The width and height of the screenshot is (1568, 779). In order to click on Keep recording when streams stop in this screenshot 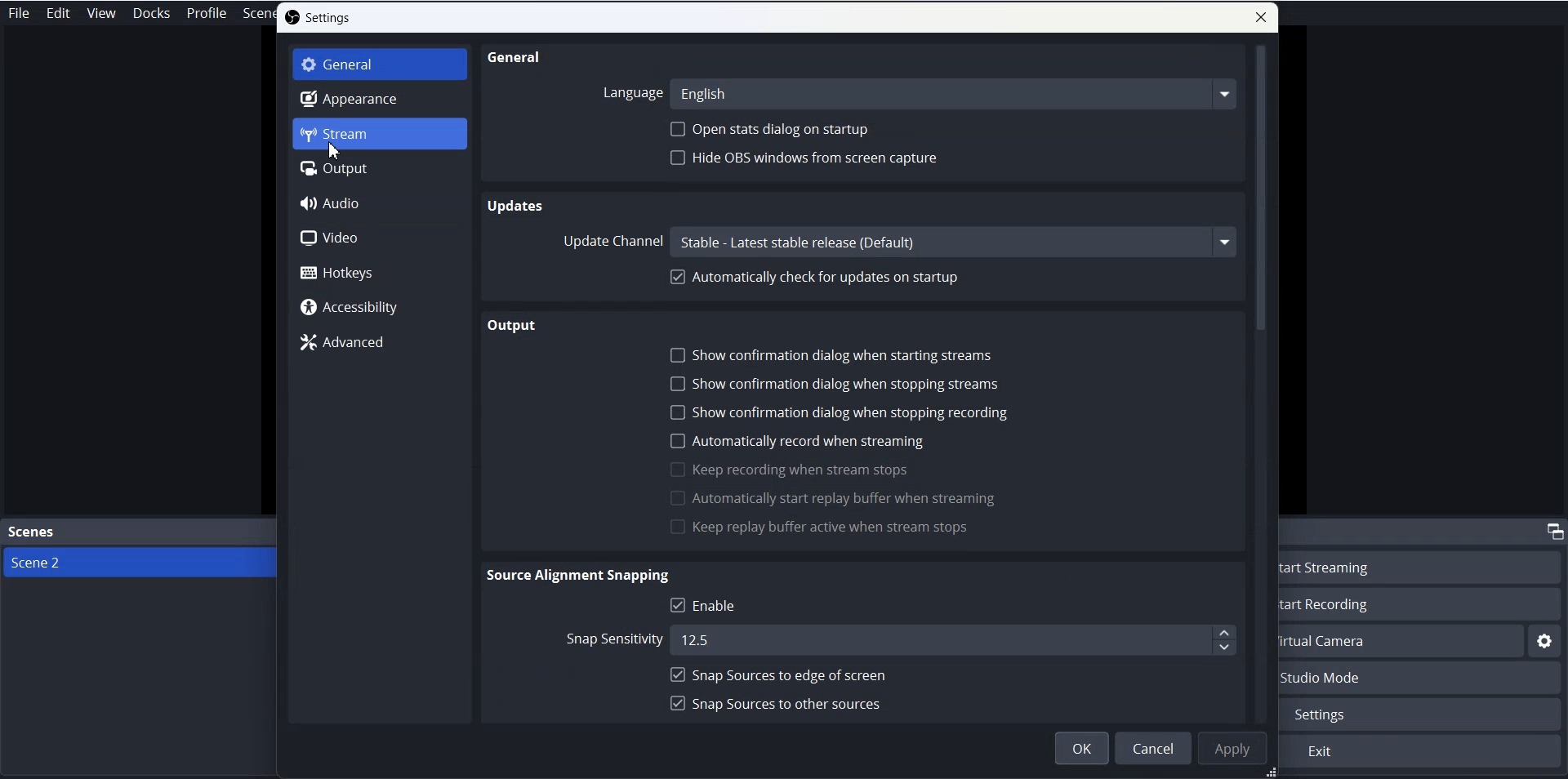, I will do `click(791, 469)`.